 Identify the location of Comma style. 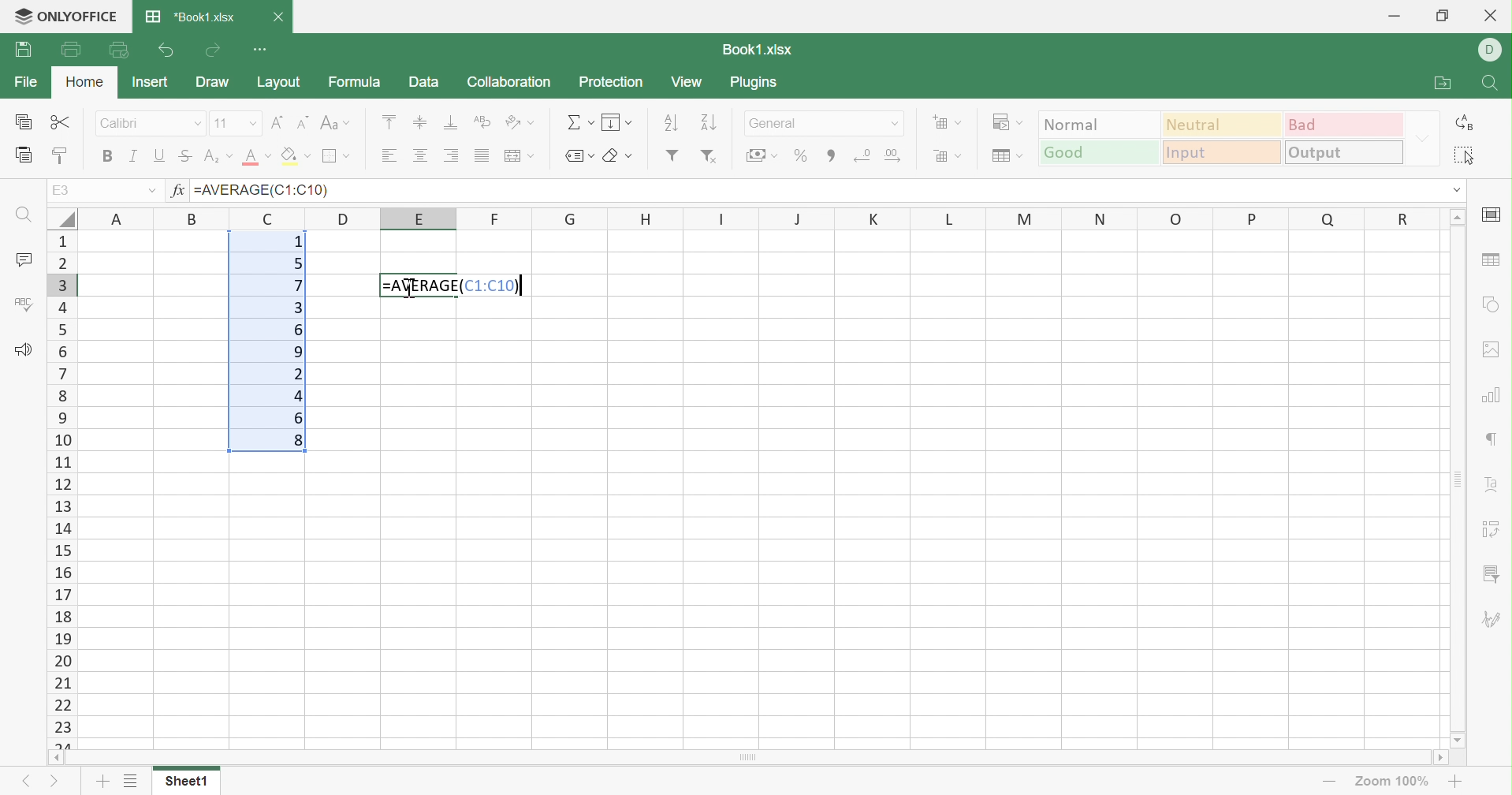
(832, 156).